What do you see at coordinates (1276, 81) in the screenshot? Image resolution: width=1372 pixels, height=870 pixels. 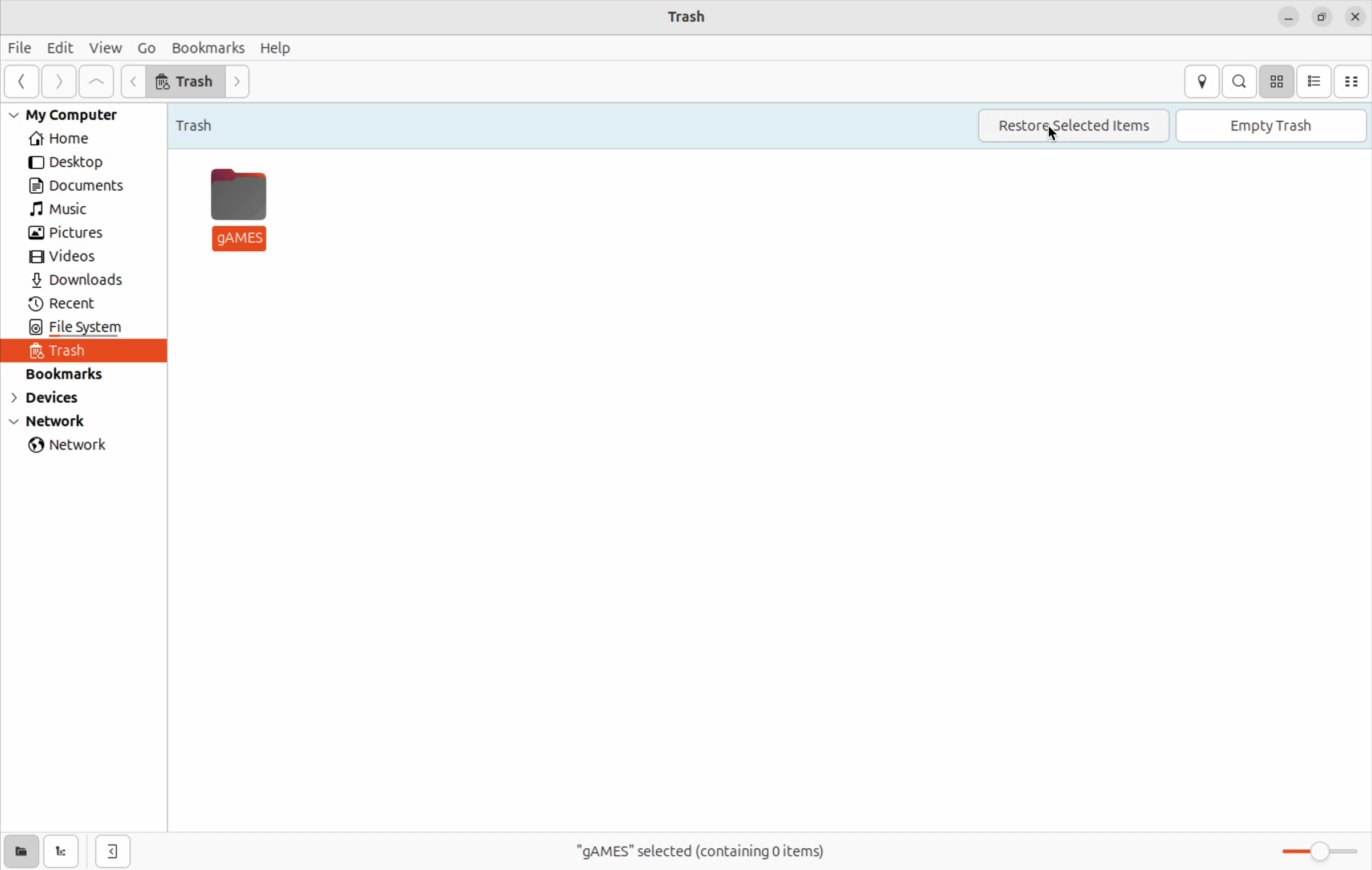 I see `icon view` at bounding box center [1276, 81].